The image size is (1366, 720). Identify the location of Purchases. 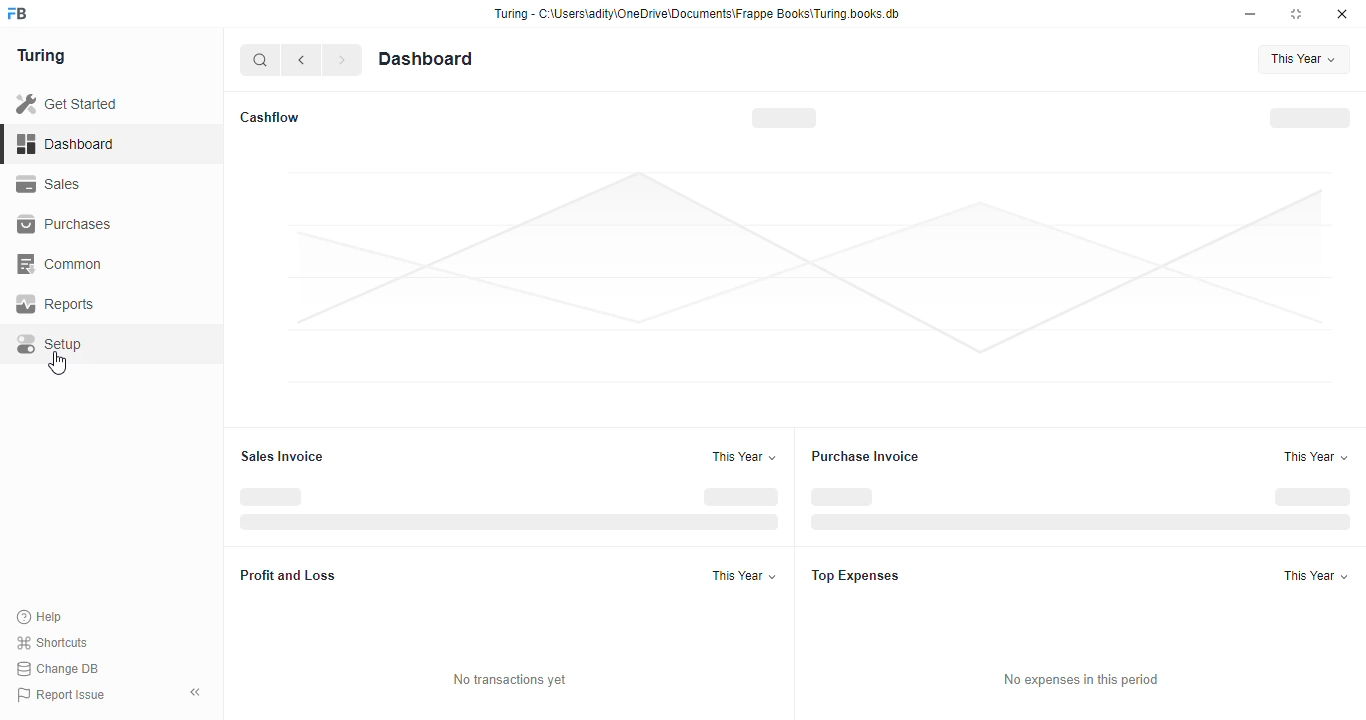
(99, 223).